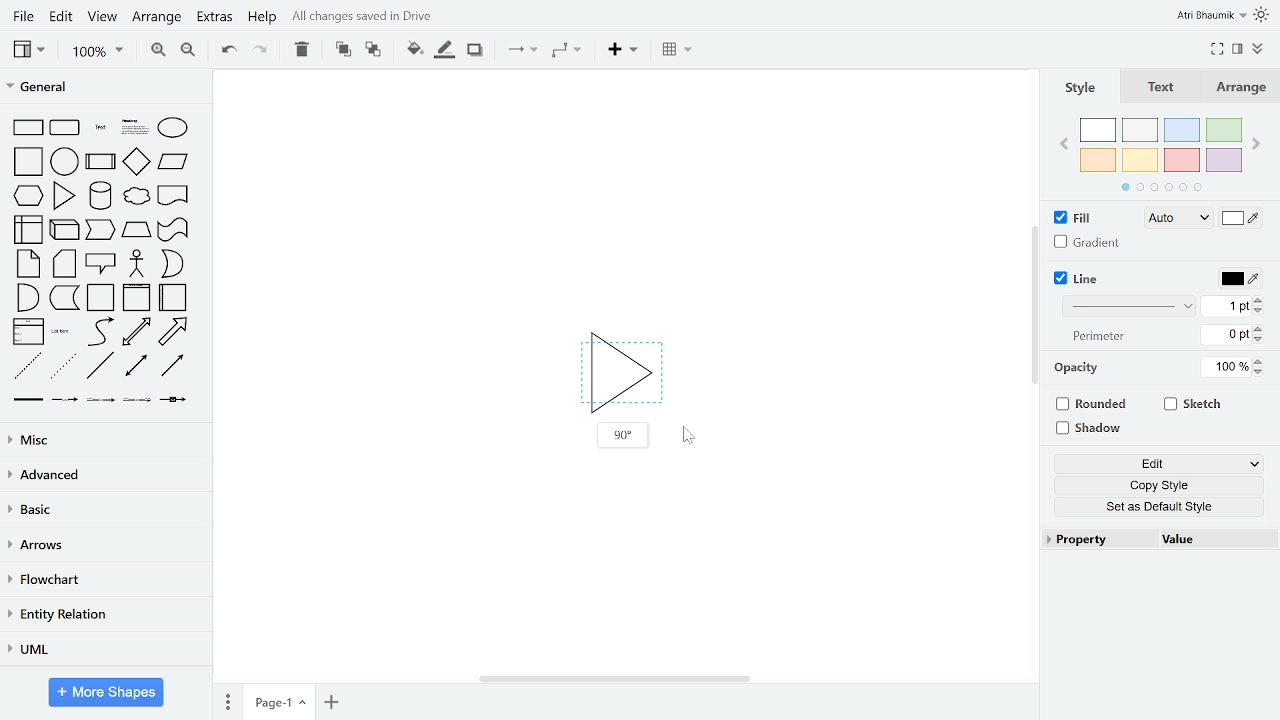 Image resolution: width=1280 pixels, height=720 pixels. I want to click on 90 degrees, so click(621, 435).